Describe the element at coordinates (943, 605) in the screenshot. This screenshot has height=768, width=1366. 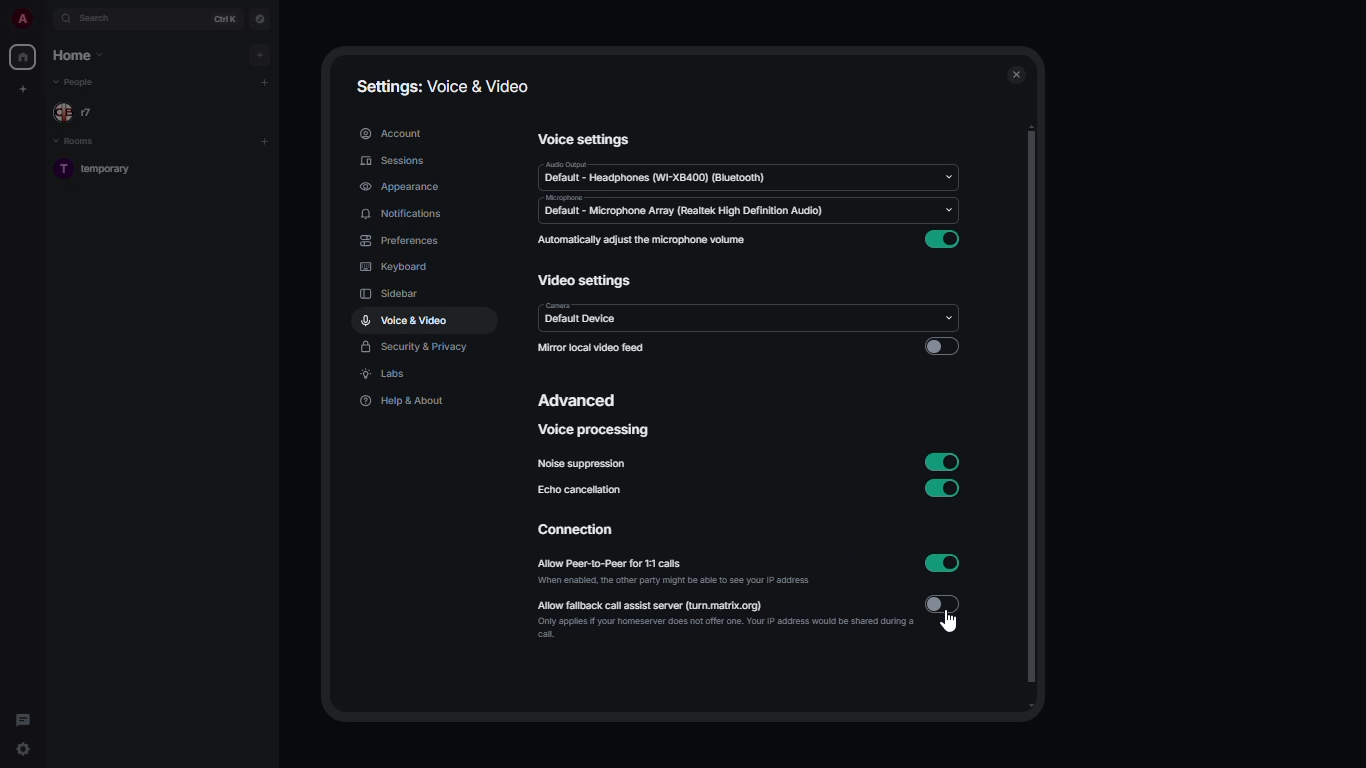
I see `disabled` at that location.